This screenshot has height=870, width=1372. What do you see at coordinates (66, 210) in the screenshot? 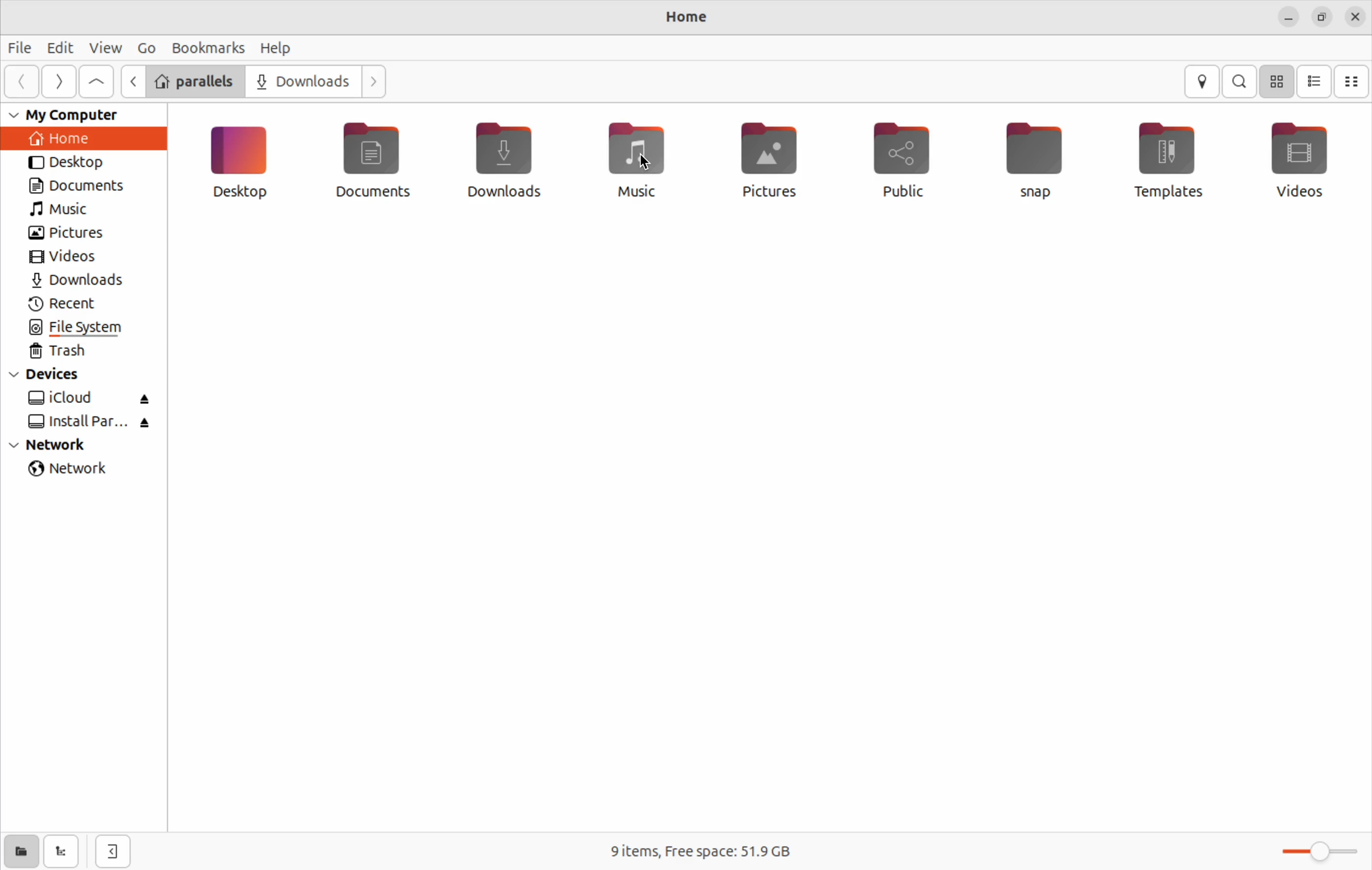
I see `music` at bounding box center [66, 210].